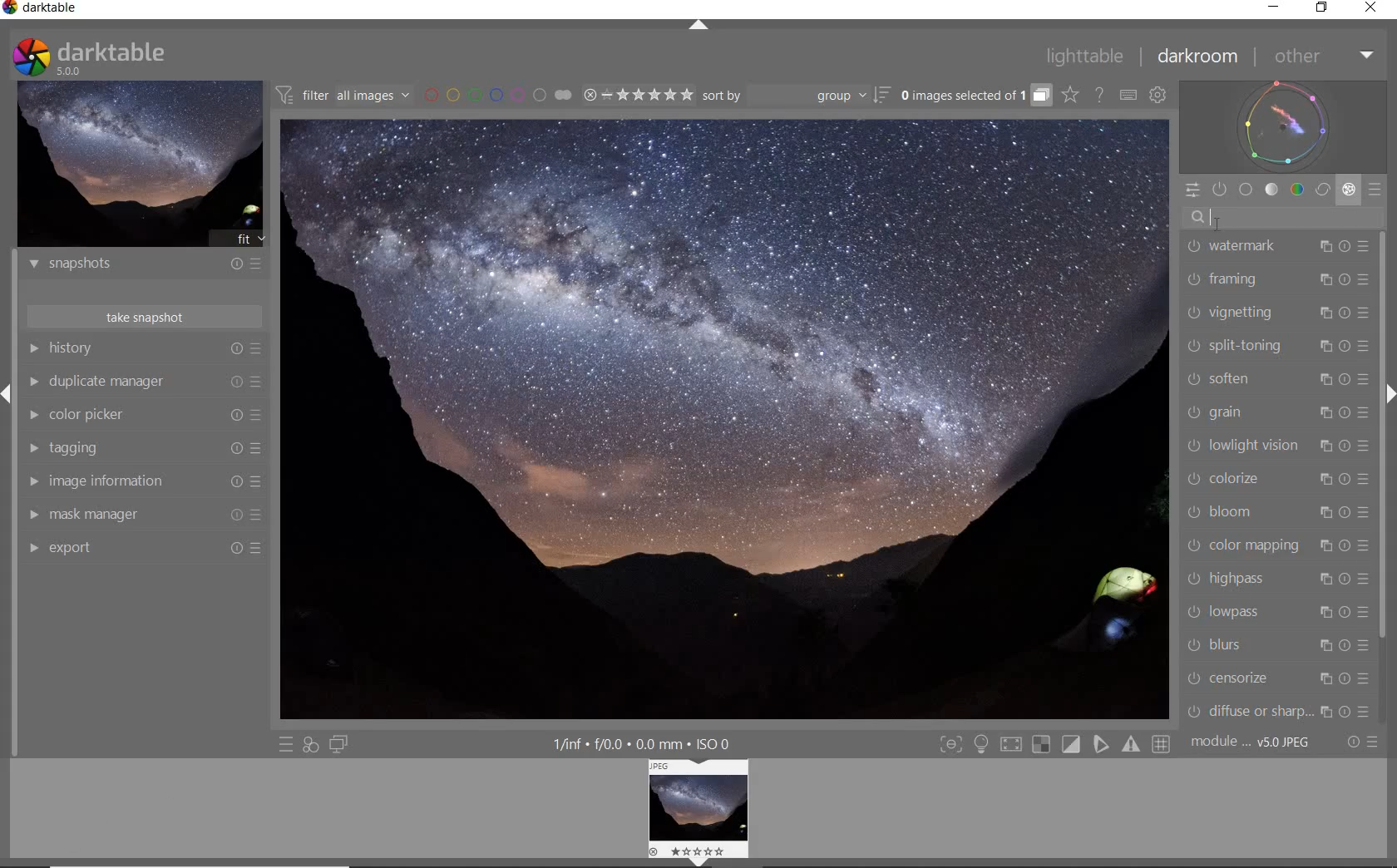 Image resolution: width=1397 pixels, height=868 pixels. I want to click on TAKE SNAPSHOTS, so click(146, 318).